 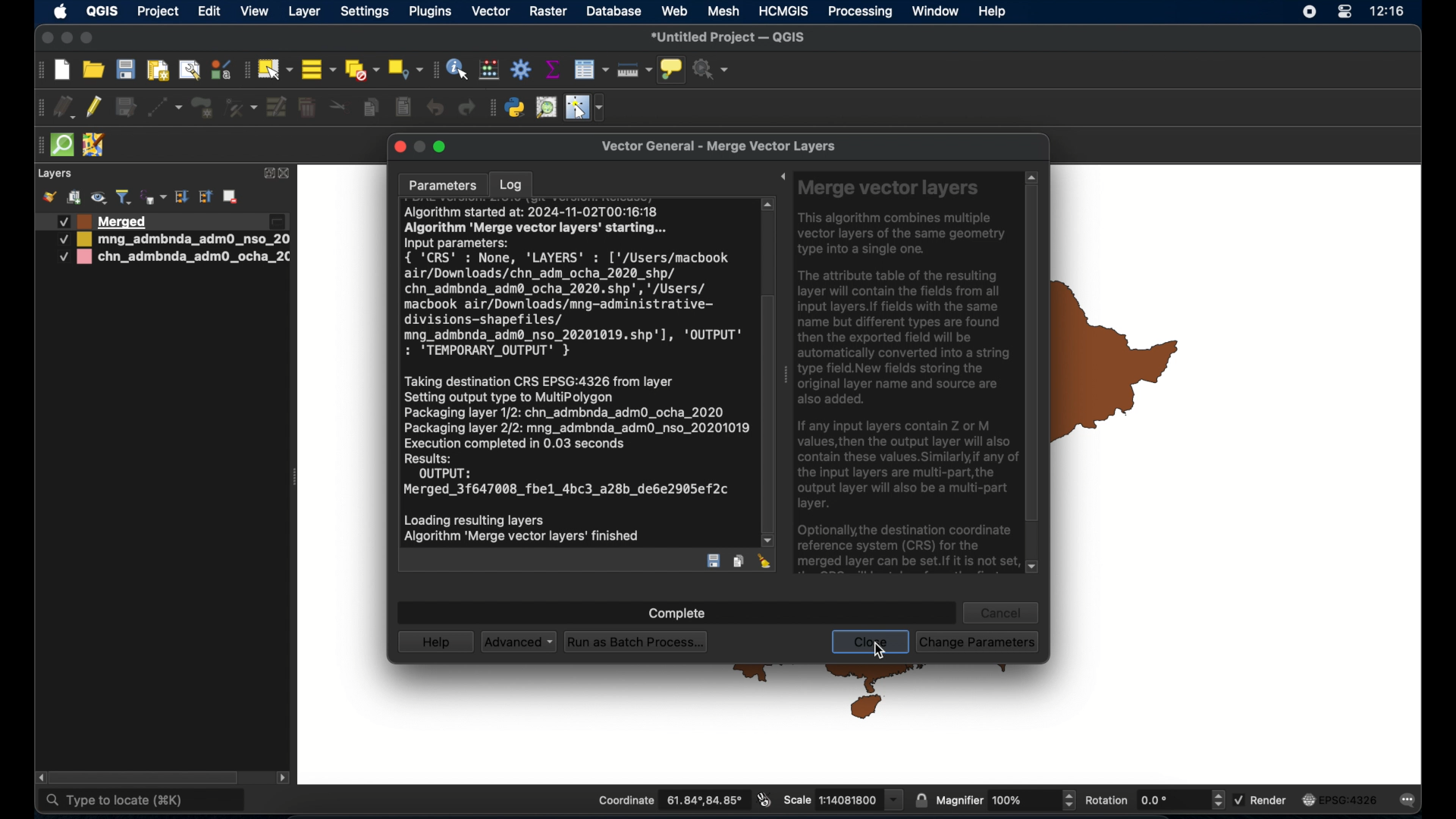 What do you see at coordinates (306, 108) in the screenshot?
I see `delet selected` at bounding box center [306, 108].